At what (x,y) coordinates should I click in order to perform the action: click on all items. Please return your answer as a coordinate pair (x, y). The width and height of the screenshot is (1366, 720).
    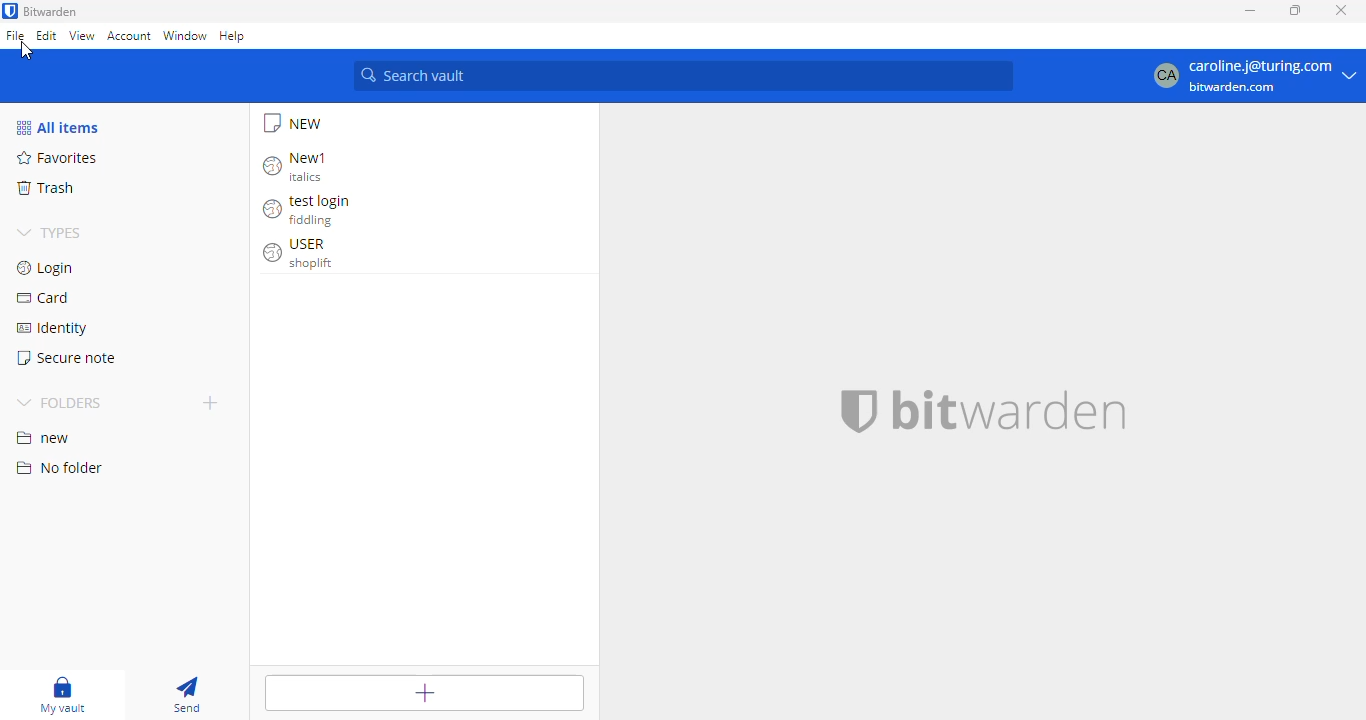
    Looking at the image, I should click on (60, 128).